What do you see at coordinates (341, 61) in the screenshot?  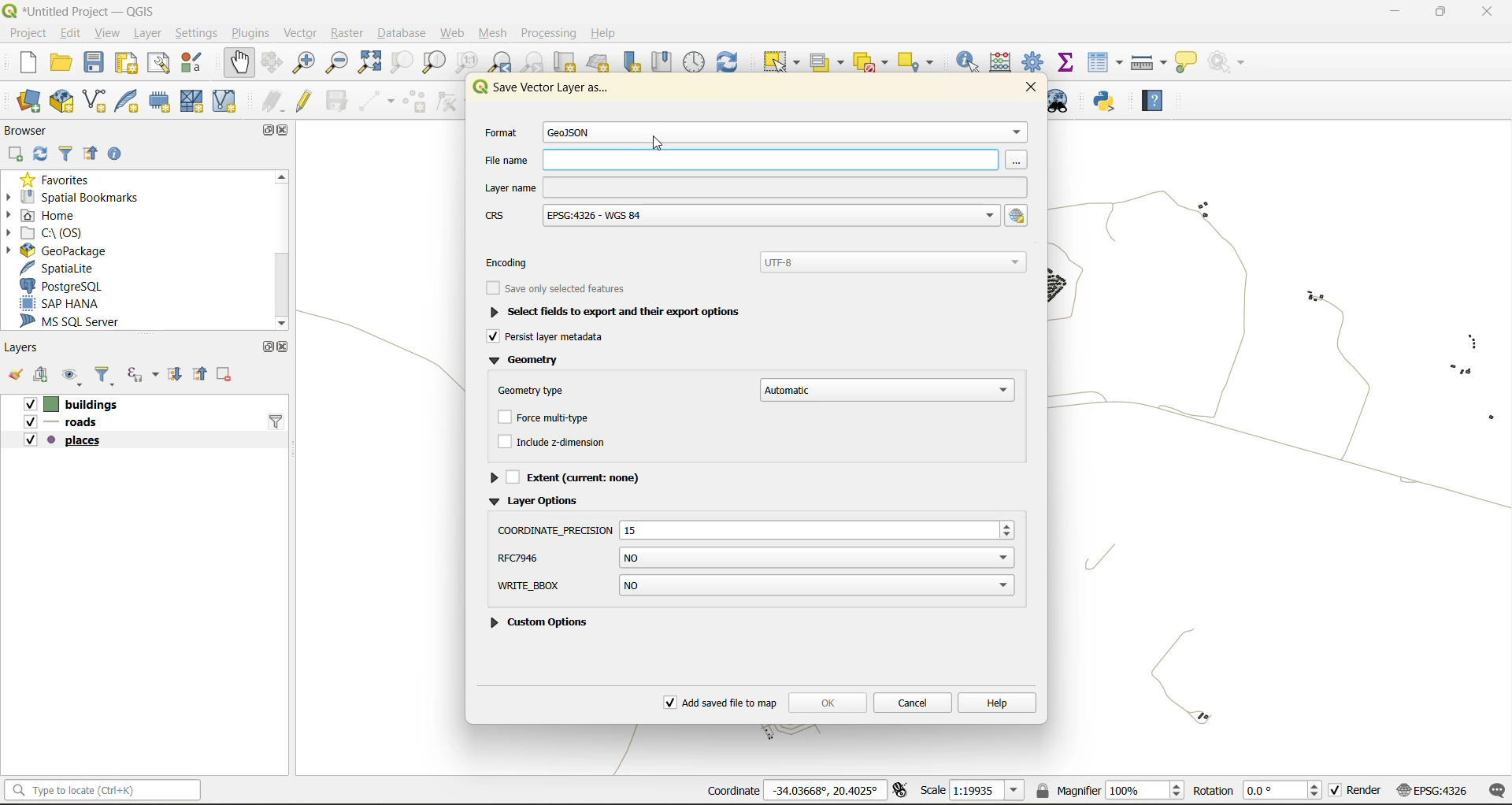 I see `zoom out` at bounding box center [341, 61].